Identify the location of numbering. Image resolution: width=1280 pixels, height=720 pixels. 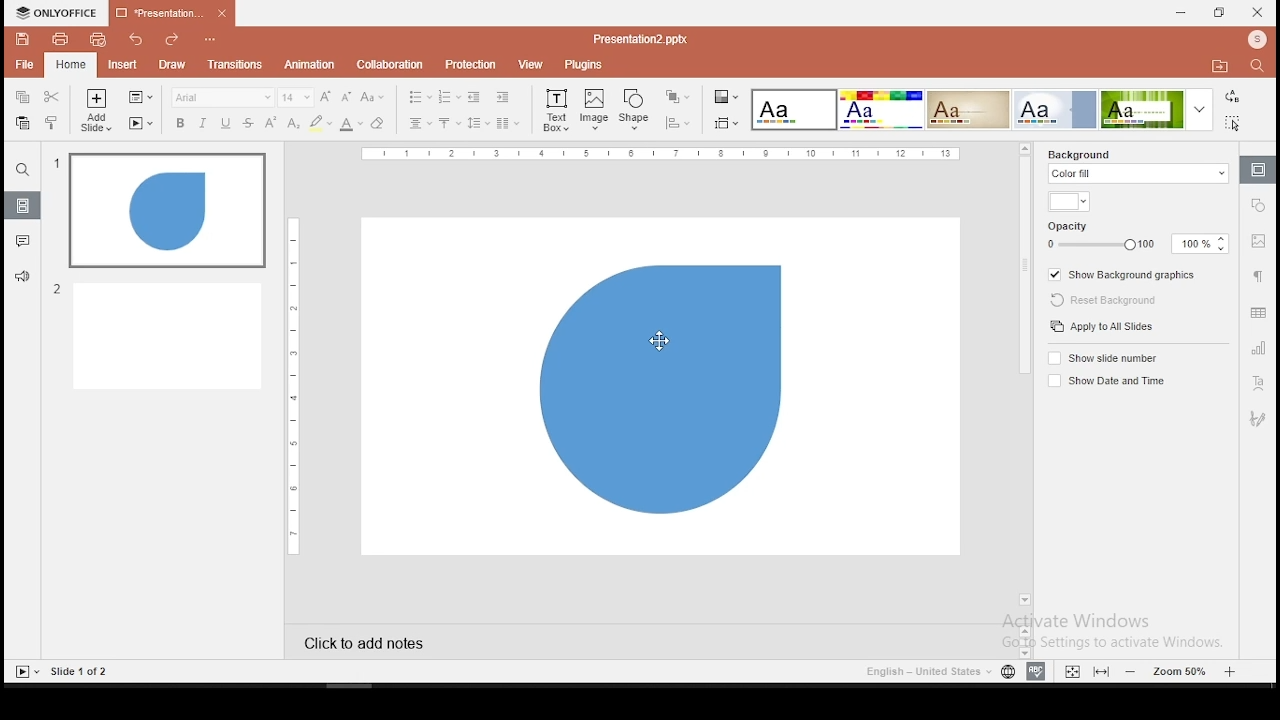
(449, 96).